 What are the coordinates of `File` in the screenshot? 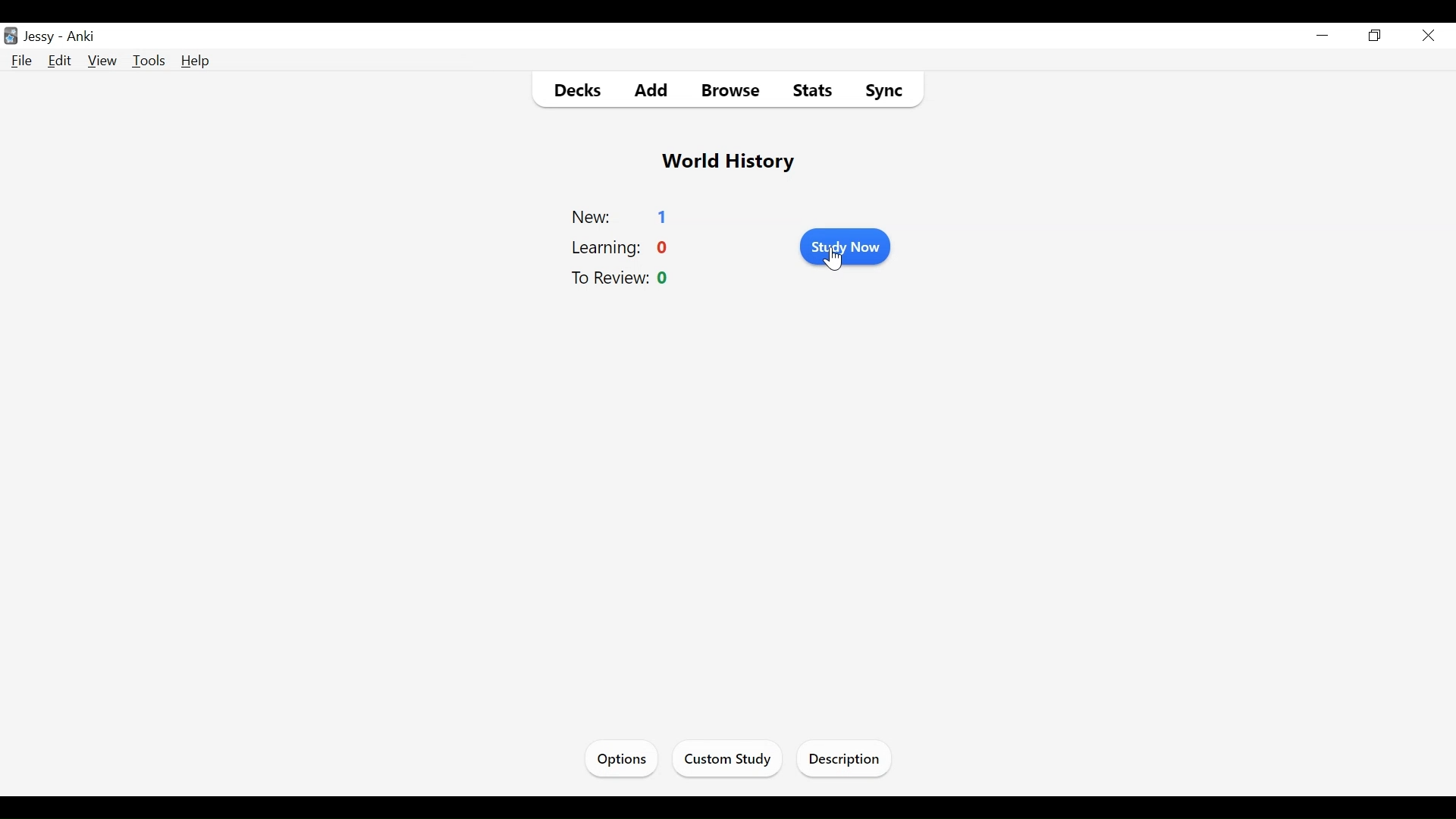 It's located at (21, 61).